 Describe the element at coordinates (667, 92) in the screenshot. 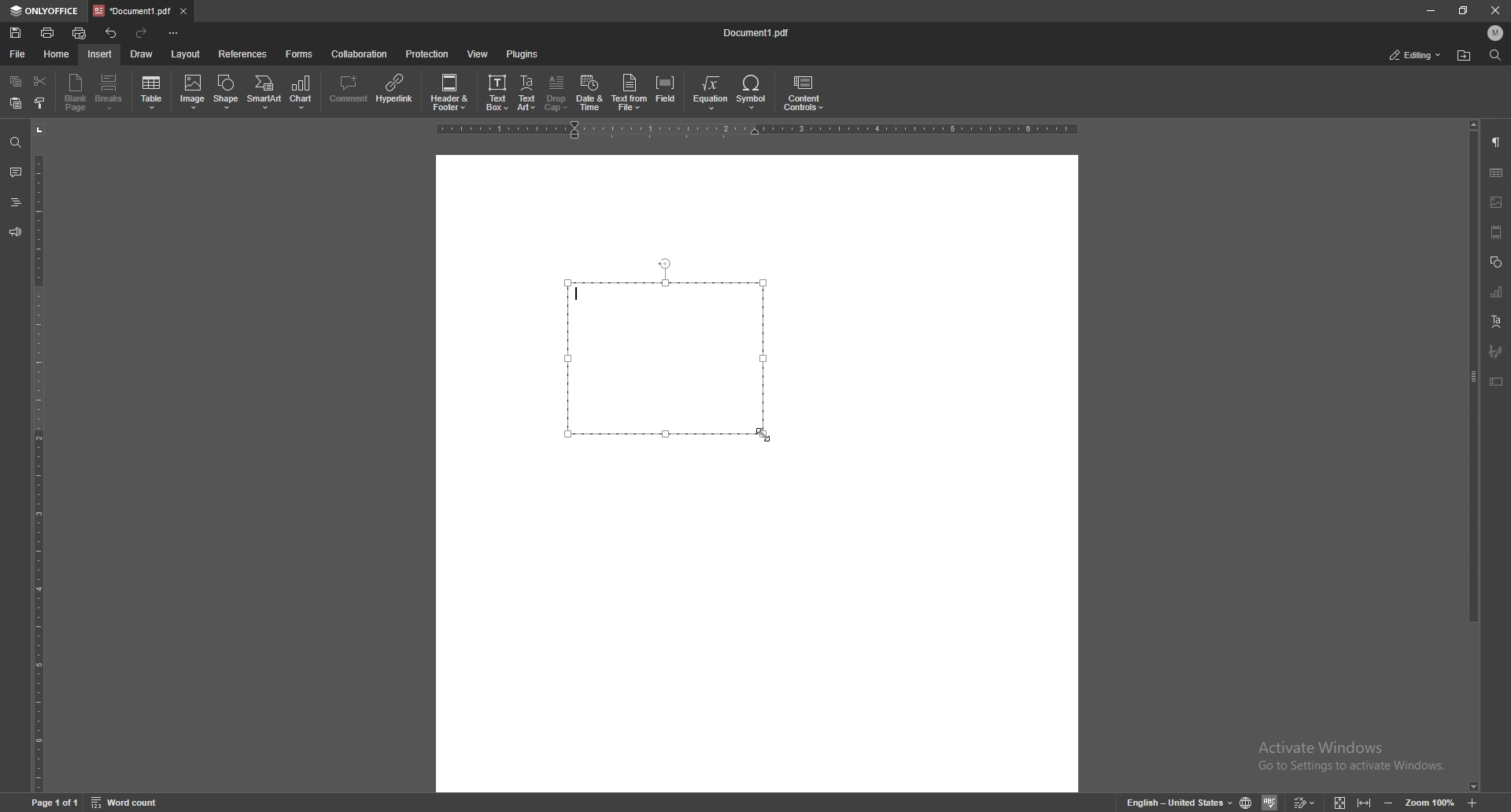

I see `field` at that location.